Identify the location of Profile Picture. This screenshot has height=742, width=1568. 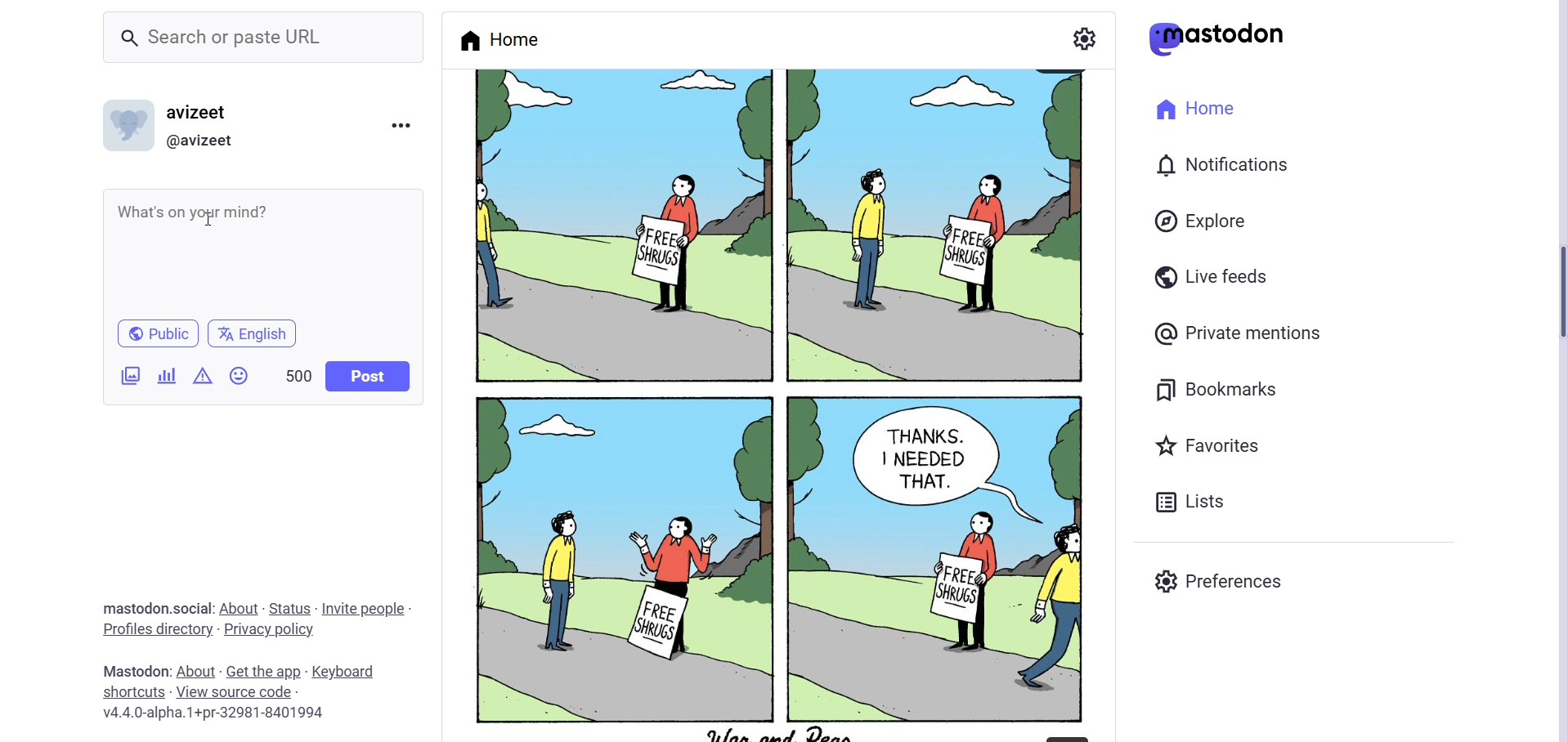
(128, 124).